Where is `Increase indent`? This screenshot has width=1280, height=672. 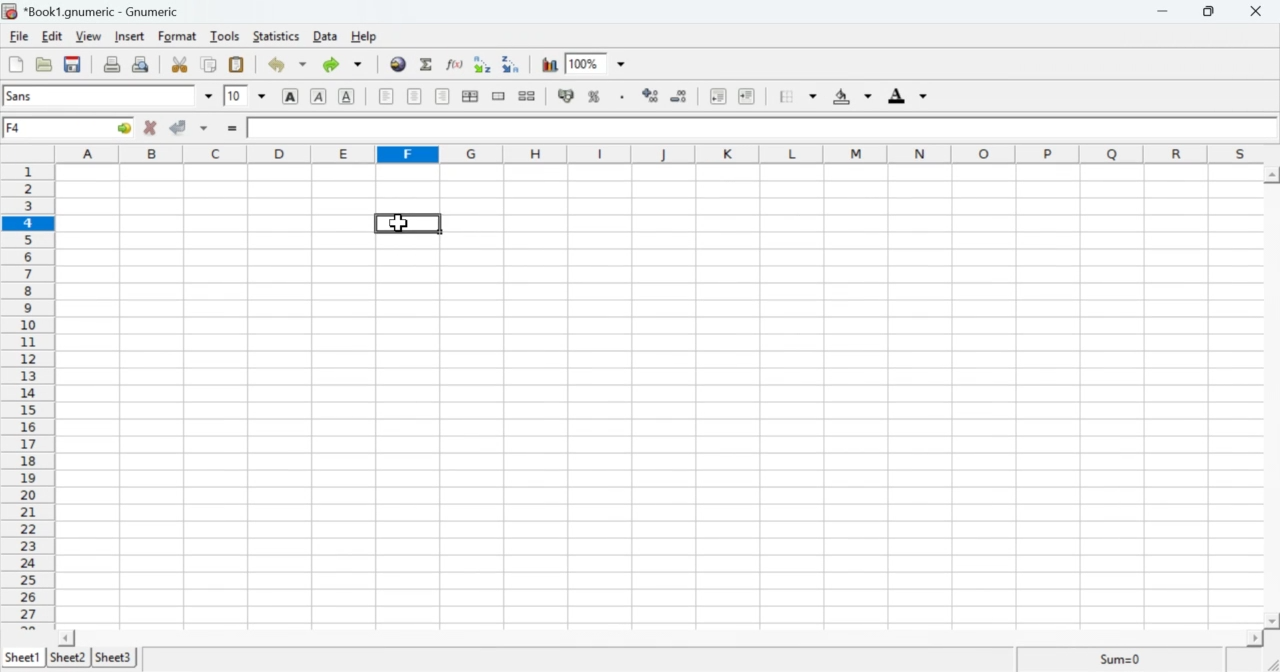
Increase indent is located at coordinates (746, 94).